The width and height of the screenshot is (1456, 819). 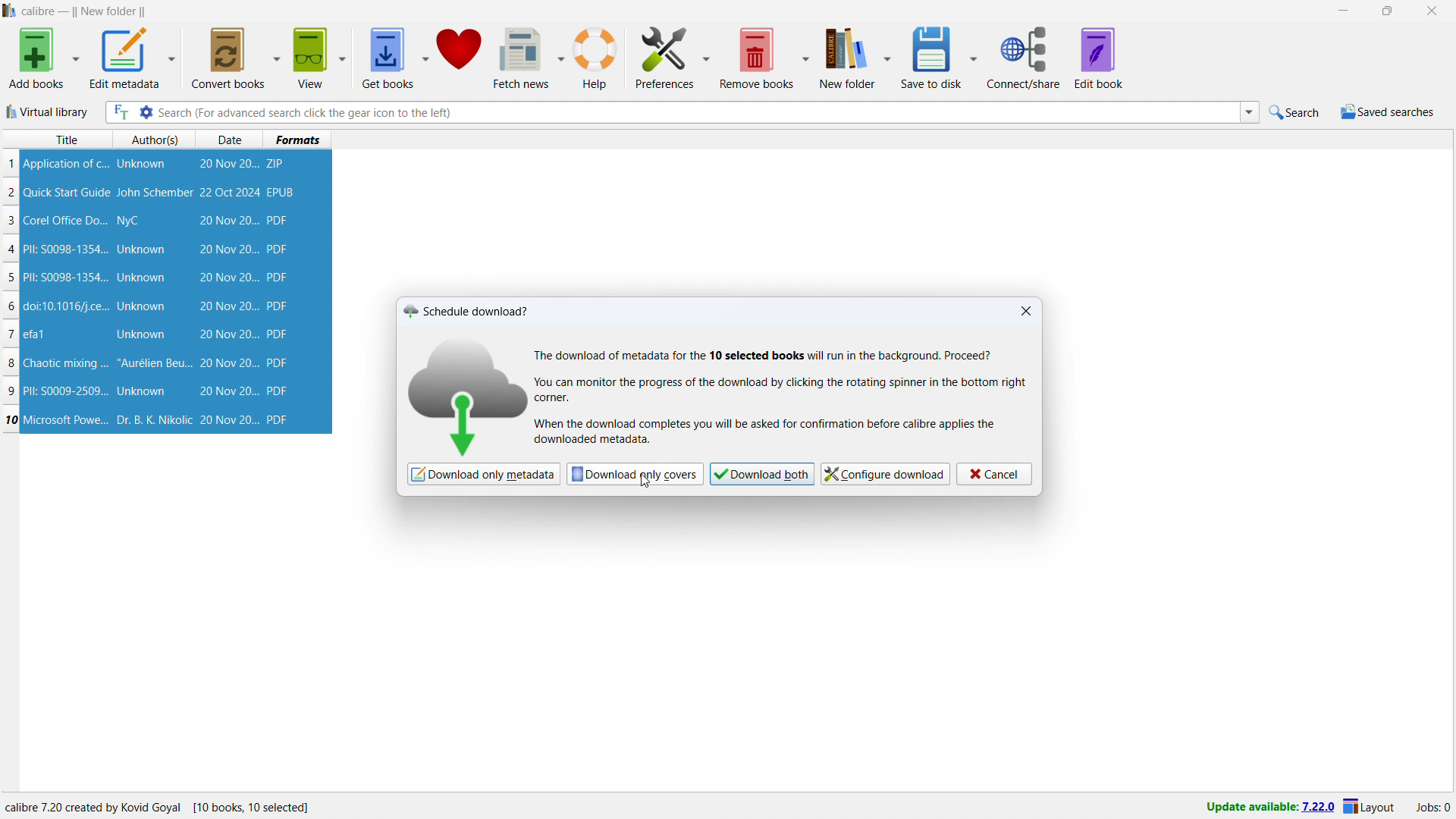 I want to click on cursor, so click(x=645, y=483).